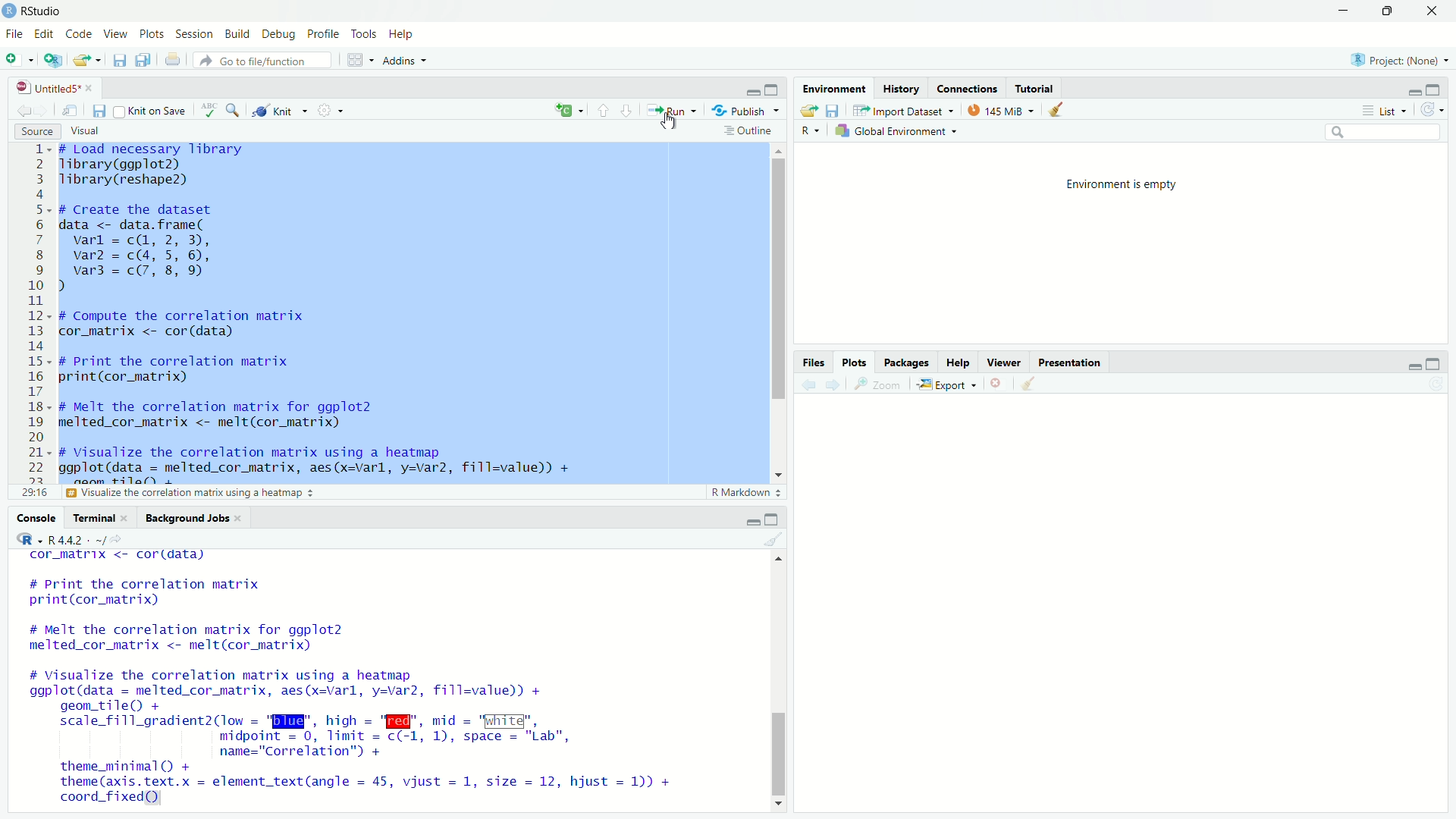 The height and width of the screenshot is (819, 1456). I want to click on # Load necessary library
Tibrary(ggplot2)
Tibrary(reshape2)
# Create the dataset
data <- data. frame(
varl = c(, 2, 3),
var2 = c(4, 5, 6),
var3 = c(7, 8, 9 I
)
# Compute the correlation matrix
cor_matrix <- cor (data)
# Print the correlation matrix
print(cor_matrix)
# Melt the correlation matrix for ggplot2
melted_cor_matrix <- melt(cor_matrix)
# Visualize the correlation matrix using a heatmap
ggplot(data = melted_cor_matrix, aes(x=varl, y=var2, fill=value)) +
noom +ilal), so click(362, 315).